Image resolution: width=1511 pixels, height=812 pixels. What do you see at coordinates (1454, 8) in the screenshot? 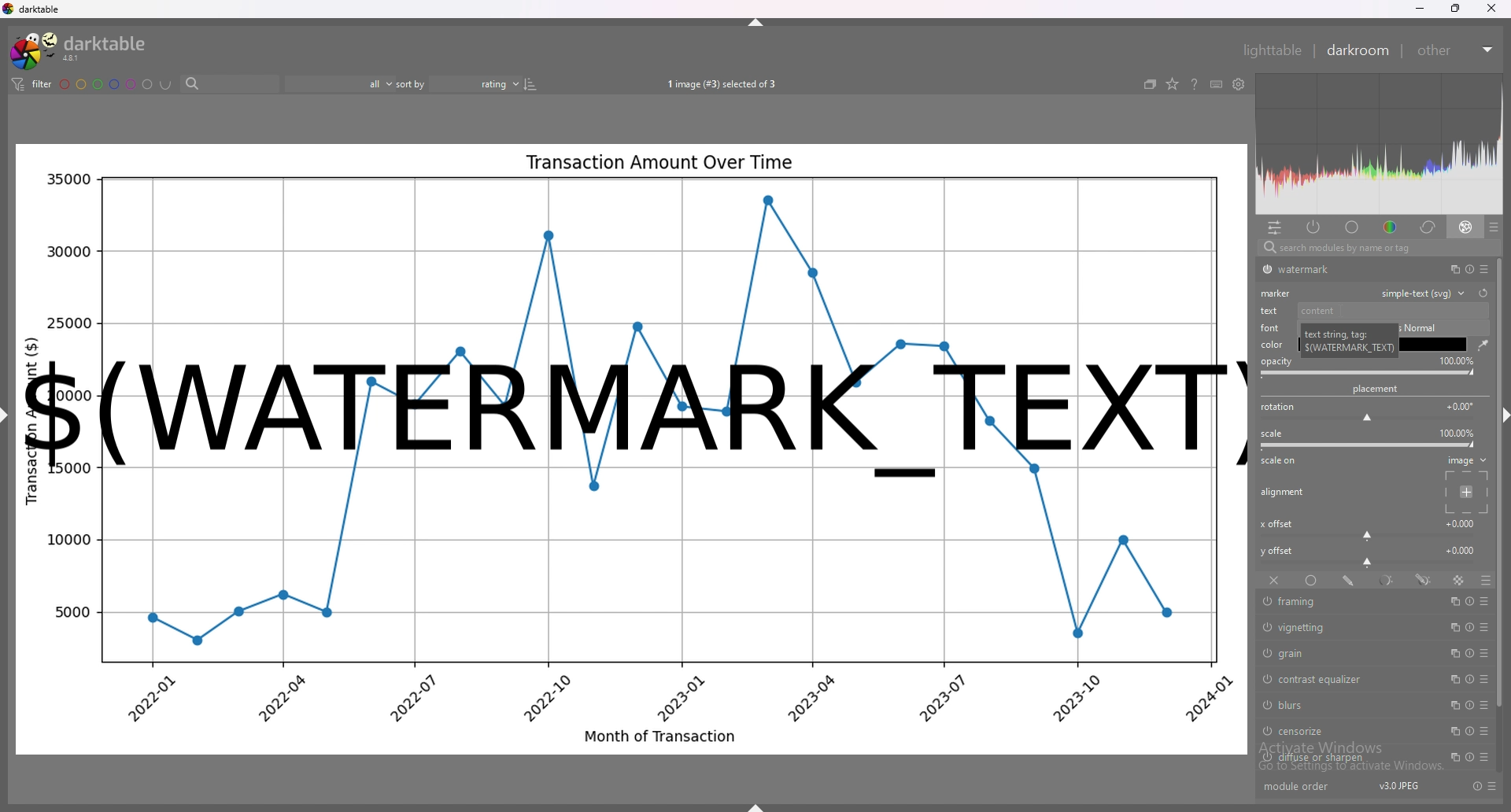
I see `resize` at bounding box center [1454, 8].